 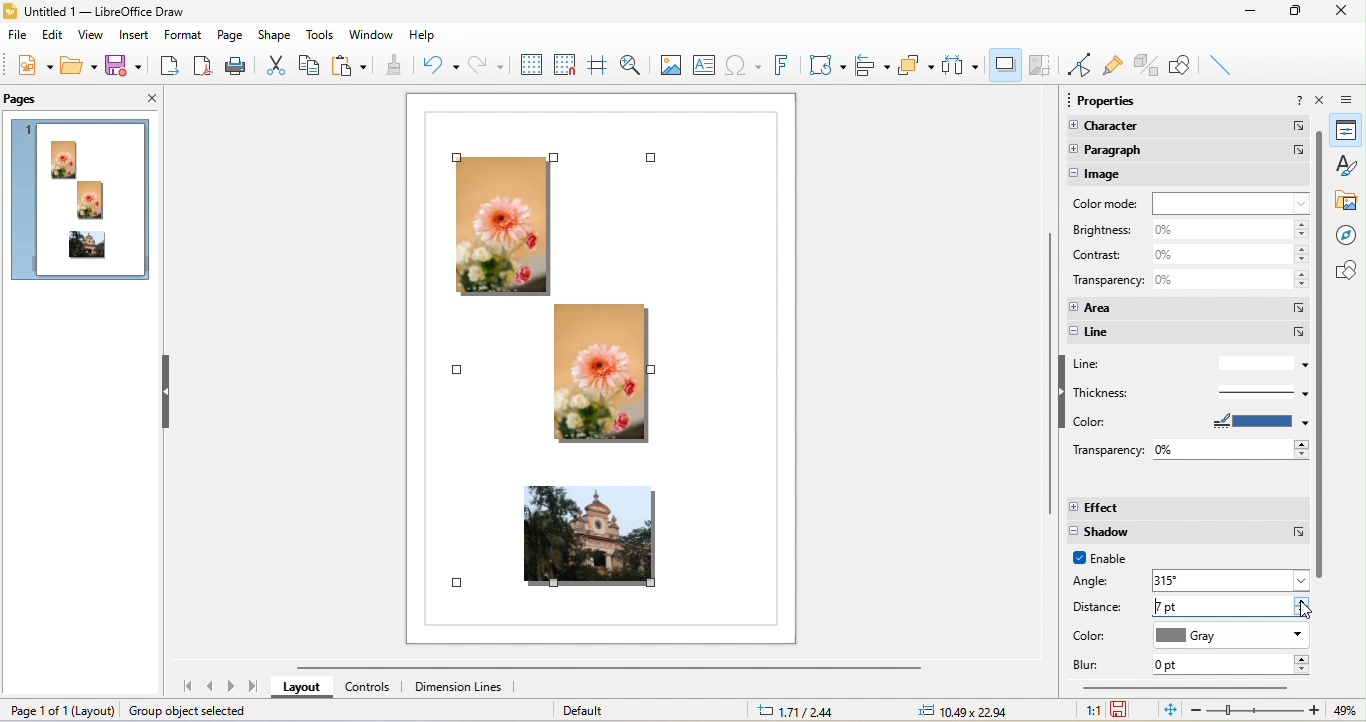 What do you see at coordinates (185, 688) in the screenshot?
I see `first page` at bounding box center [185, 688].